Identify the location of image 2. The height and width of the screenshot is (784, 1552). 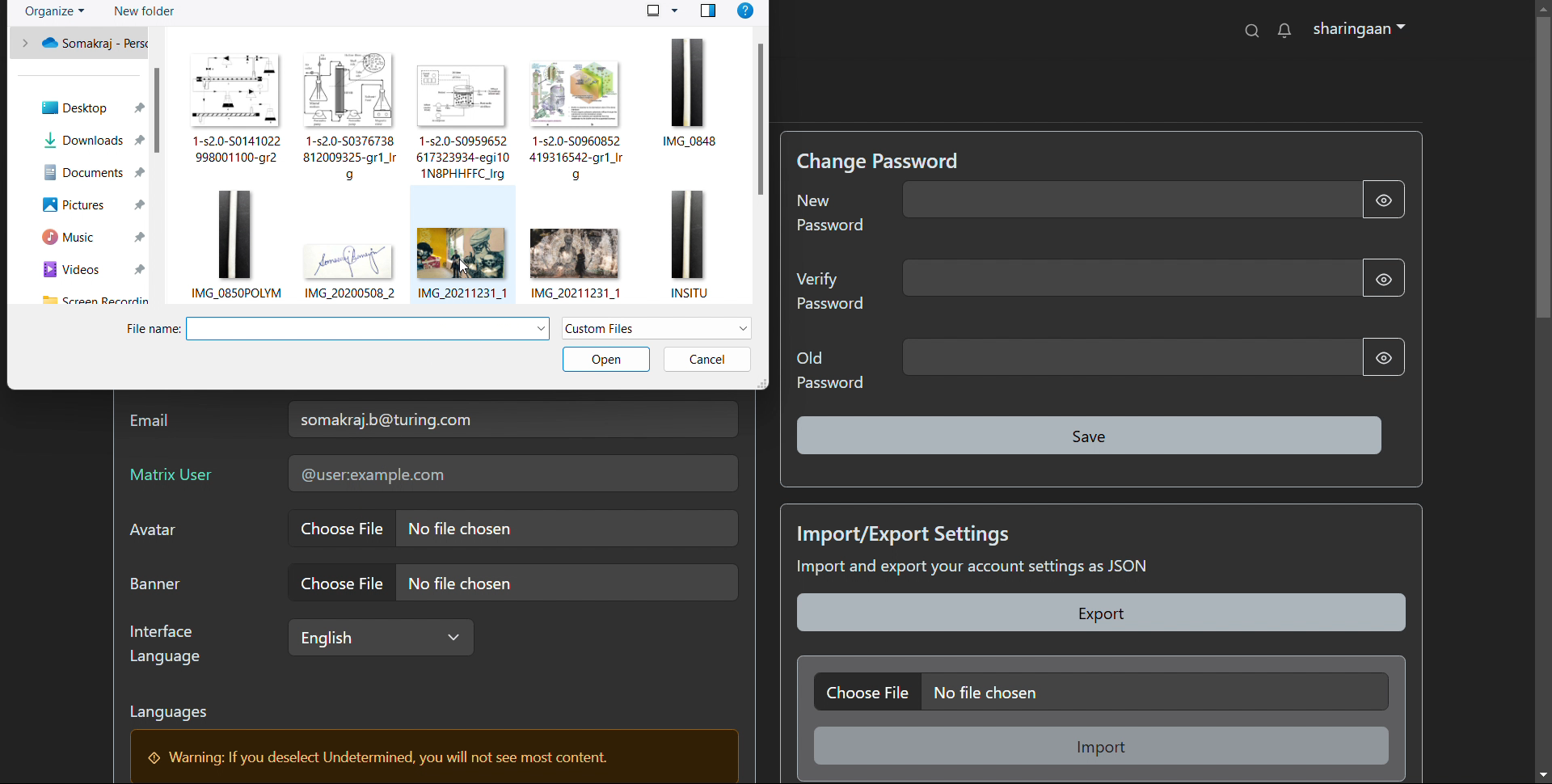
(351, 114).